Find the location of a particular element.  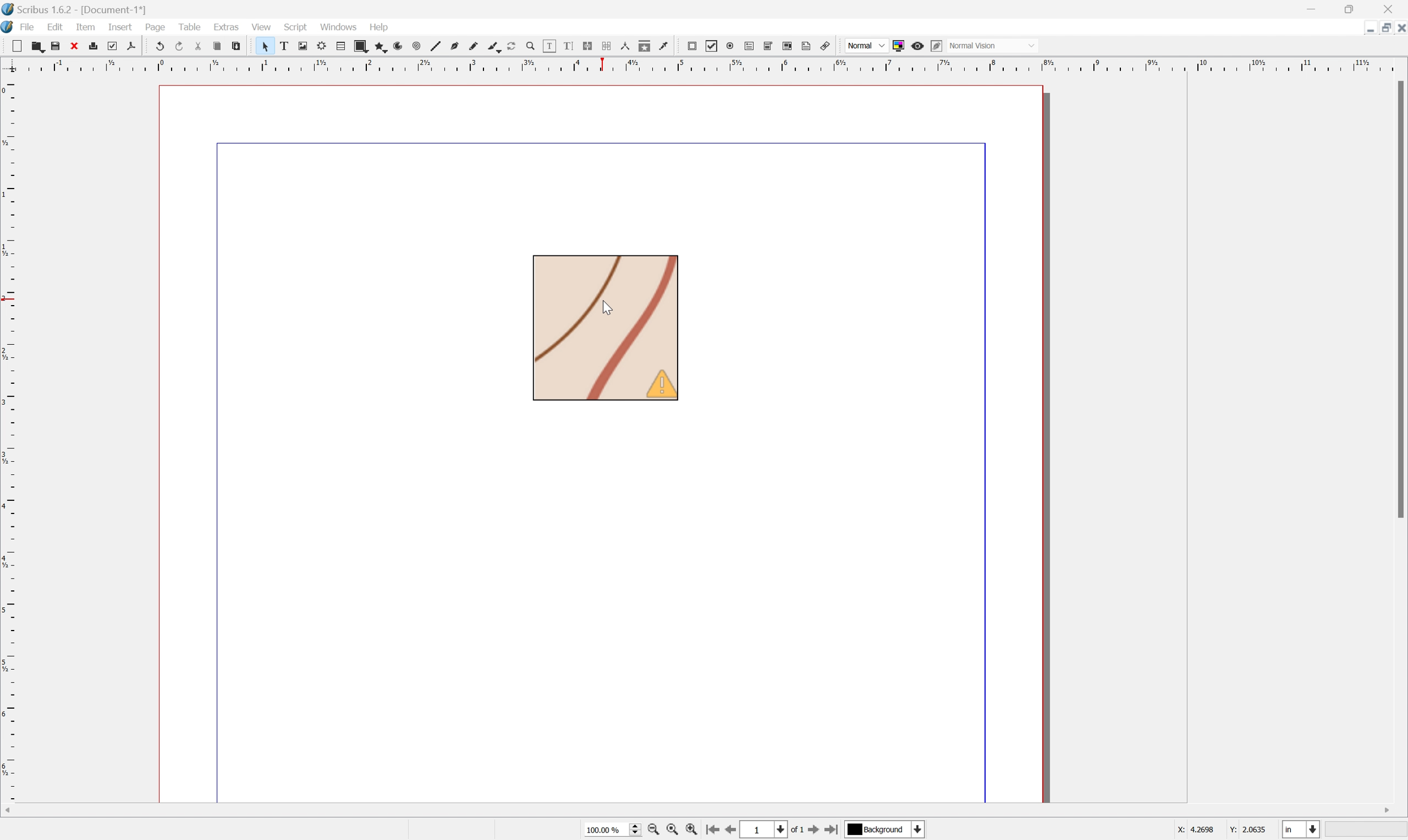

Go to the first page is located at coordinates (714, 831).